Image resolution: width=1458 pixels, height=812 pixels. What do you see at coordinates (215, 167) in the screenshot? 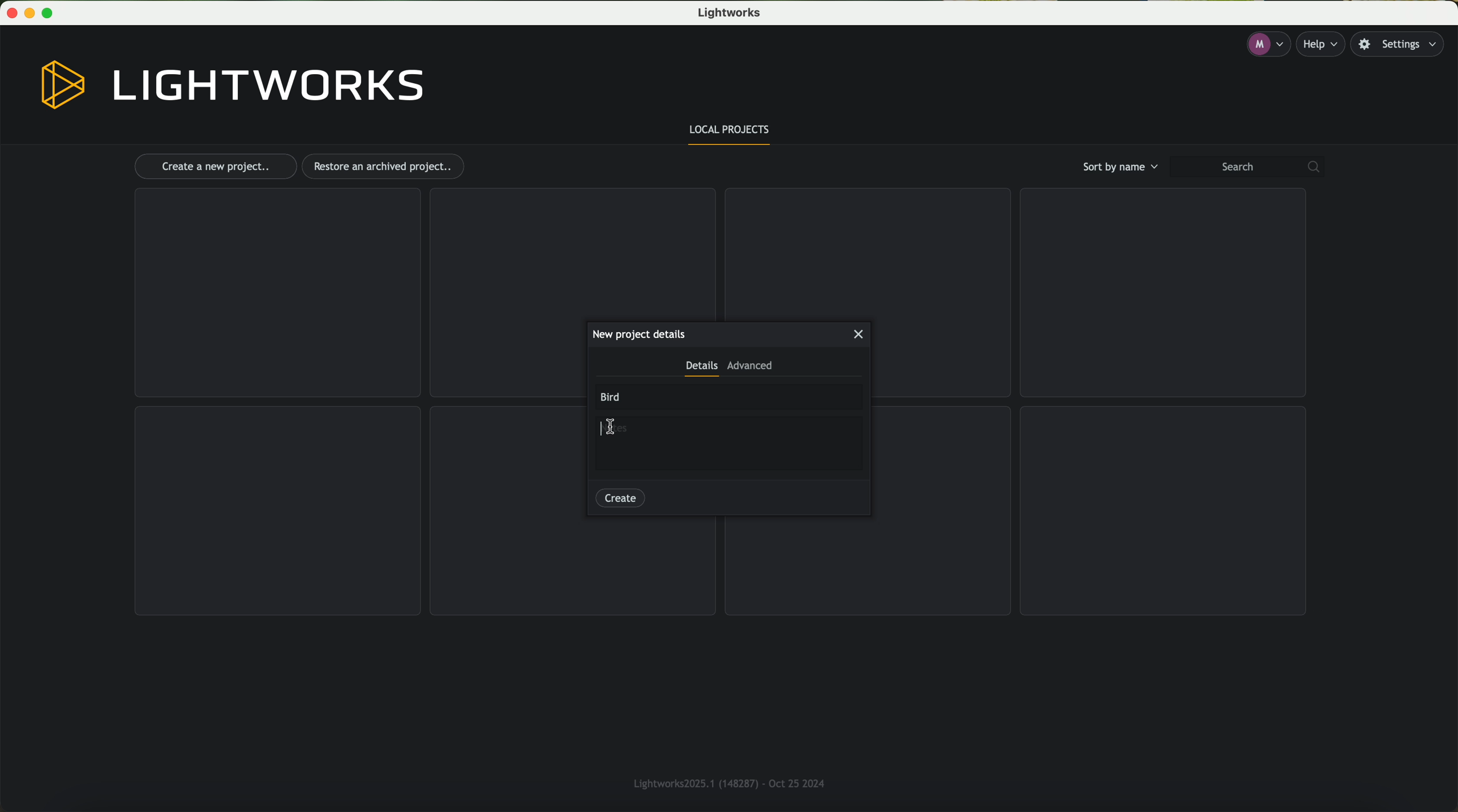
I see `click on create new project` at bounding box center [215, 167].